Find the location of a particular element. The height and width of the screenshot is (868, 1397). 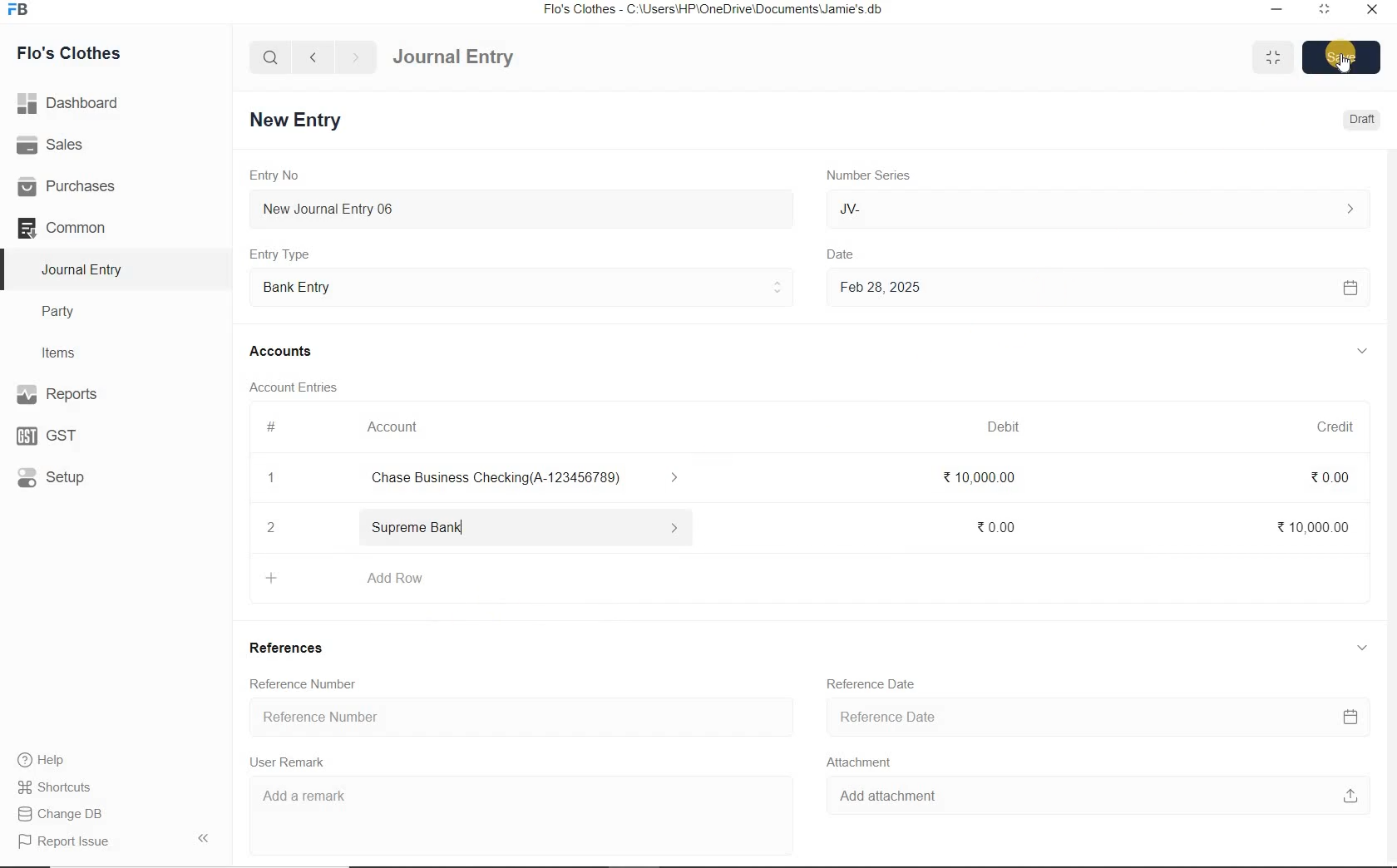

User Remark is located at coordinates (292, 762).